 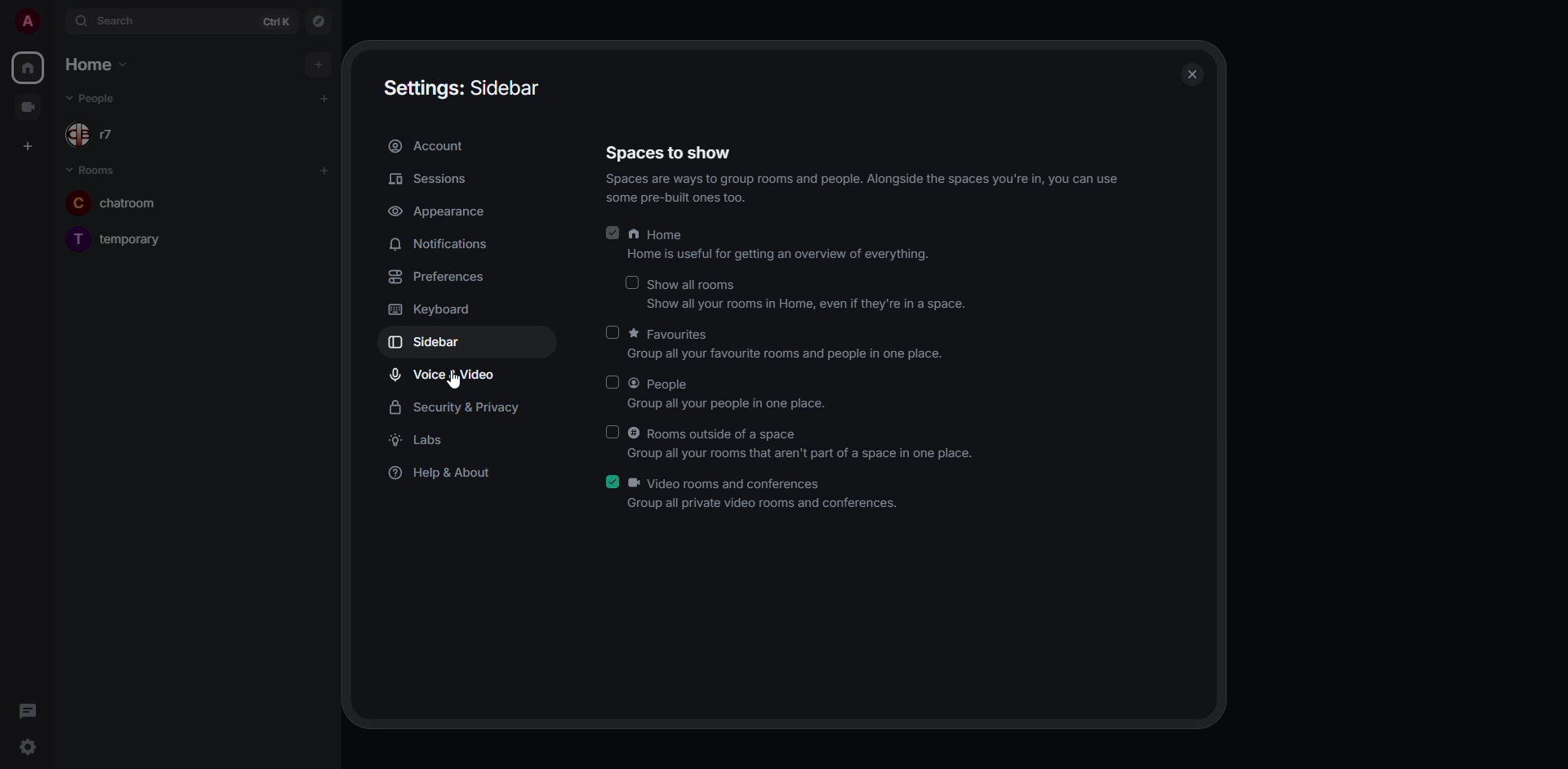 What do you see at coordinates (314, 63) in the screenshot?
I see `add` at bounding box center [314, 63].